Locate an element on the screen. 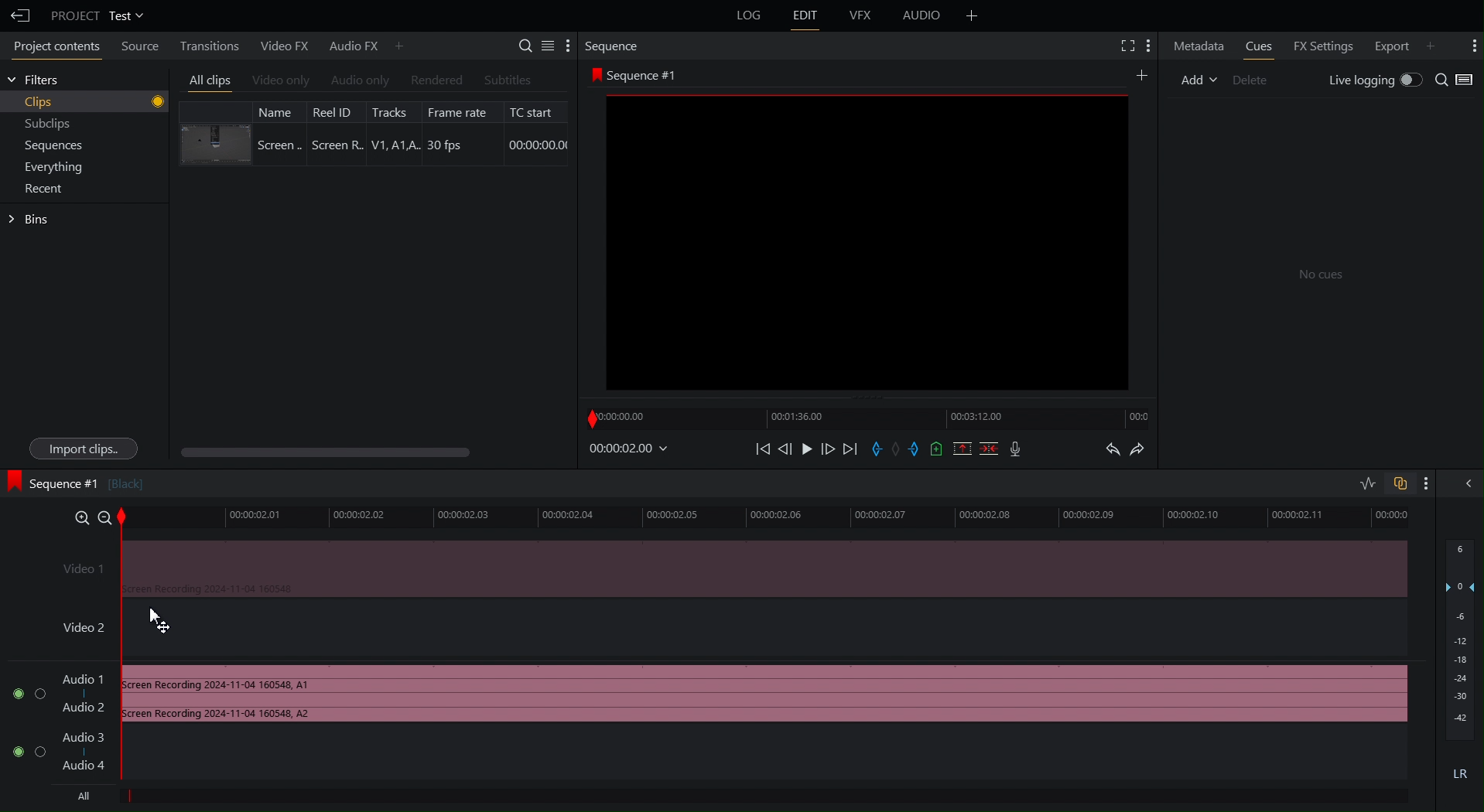 The height and width of the screenshot is (812, 1484). Sequence#1 [Screen recording 202 is located at coordinates (128, 486).